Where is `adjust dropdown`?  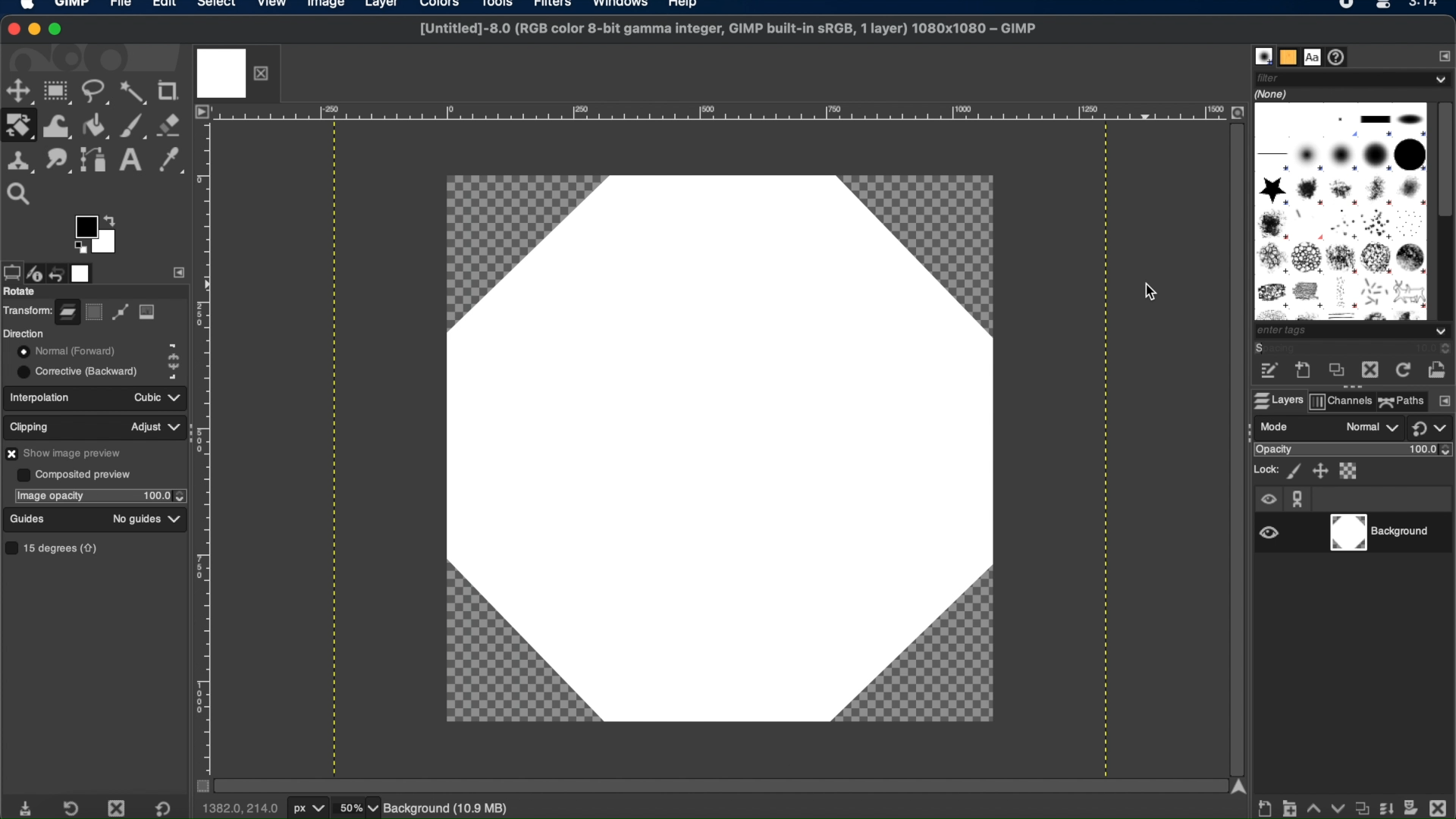
adjust dropdown is located at coordinates (155, 427).